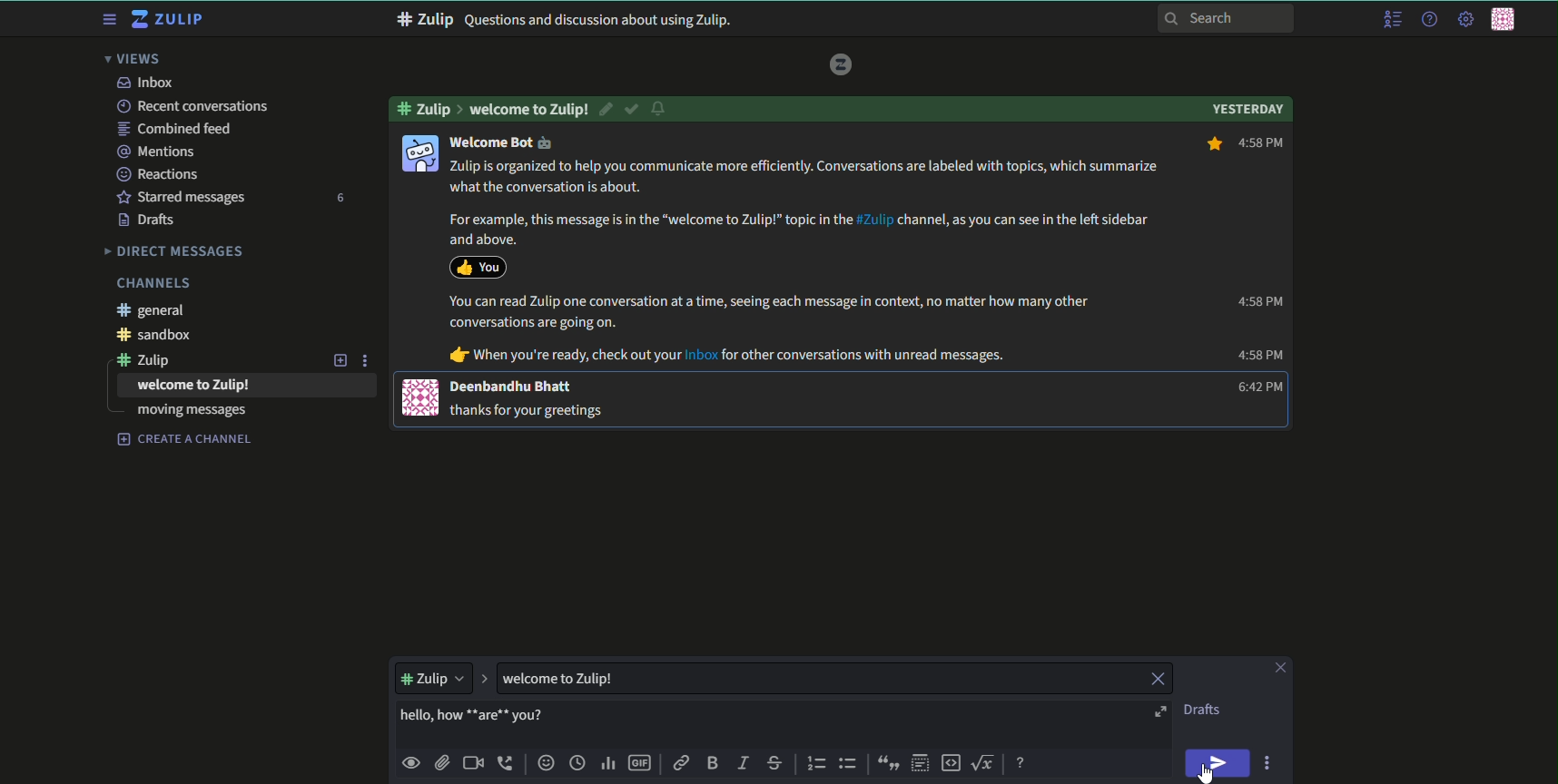  I want to click on highlighted text, so click(478, 715).